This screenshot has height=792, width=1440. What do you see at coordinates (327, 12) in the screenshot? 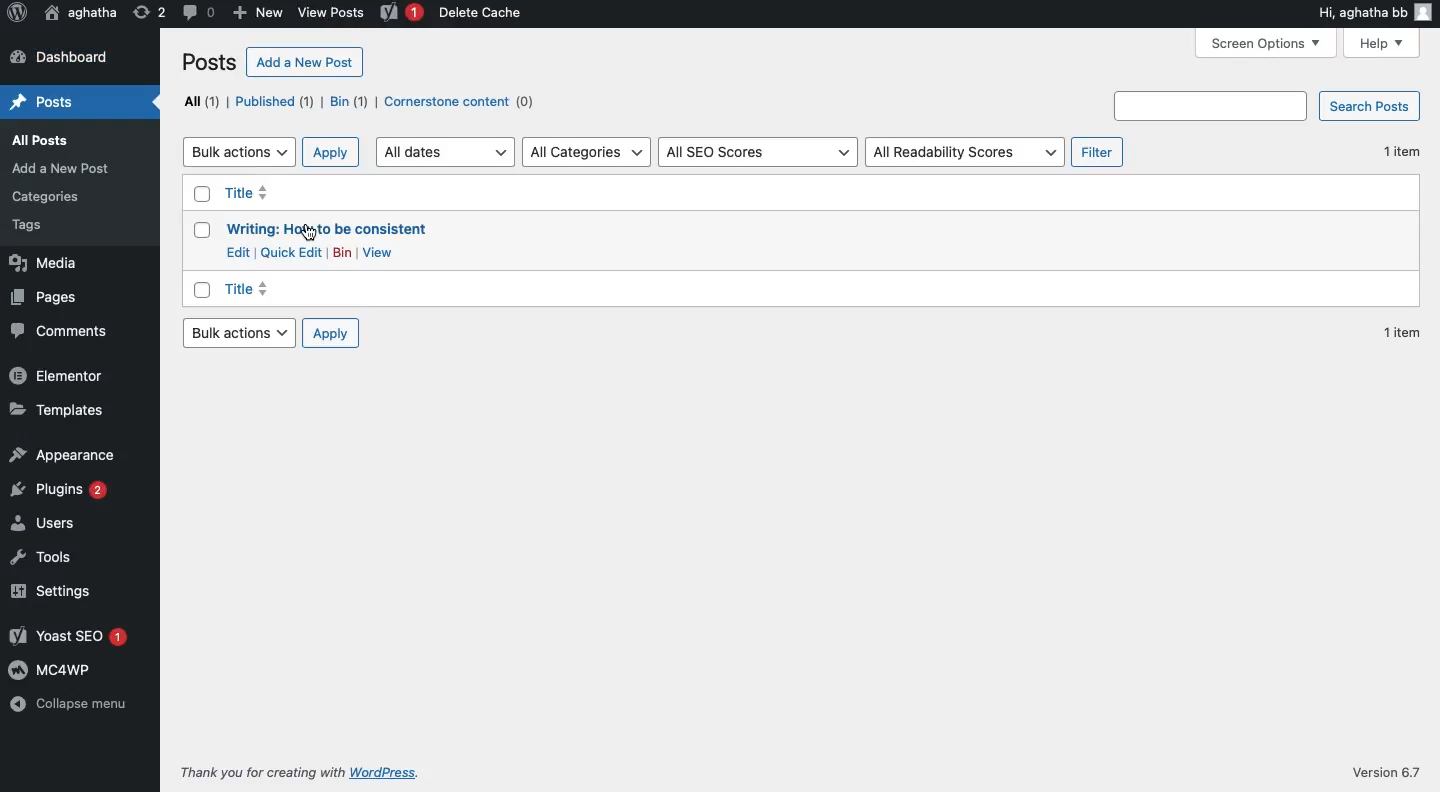
I see `View Posts` at bounding box center [327, 12].